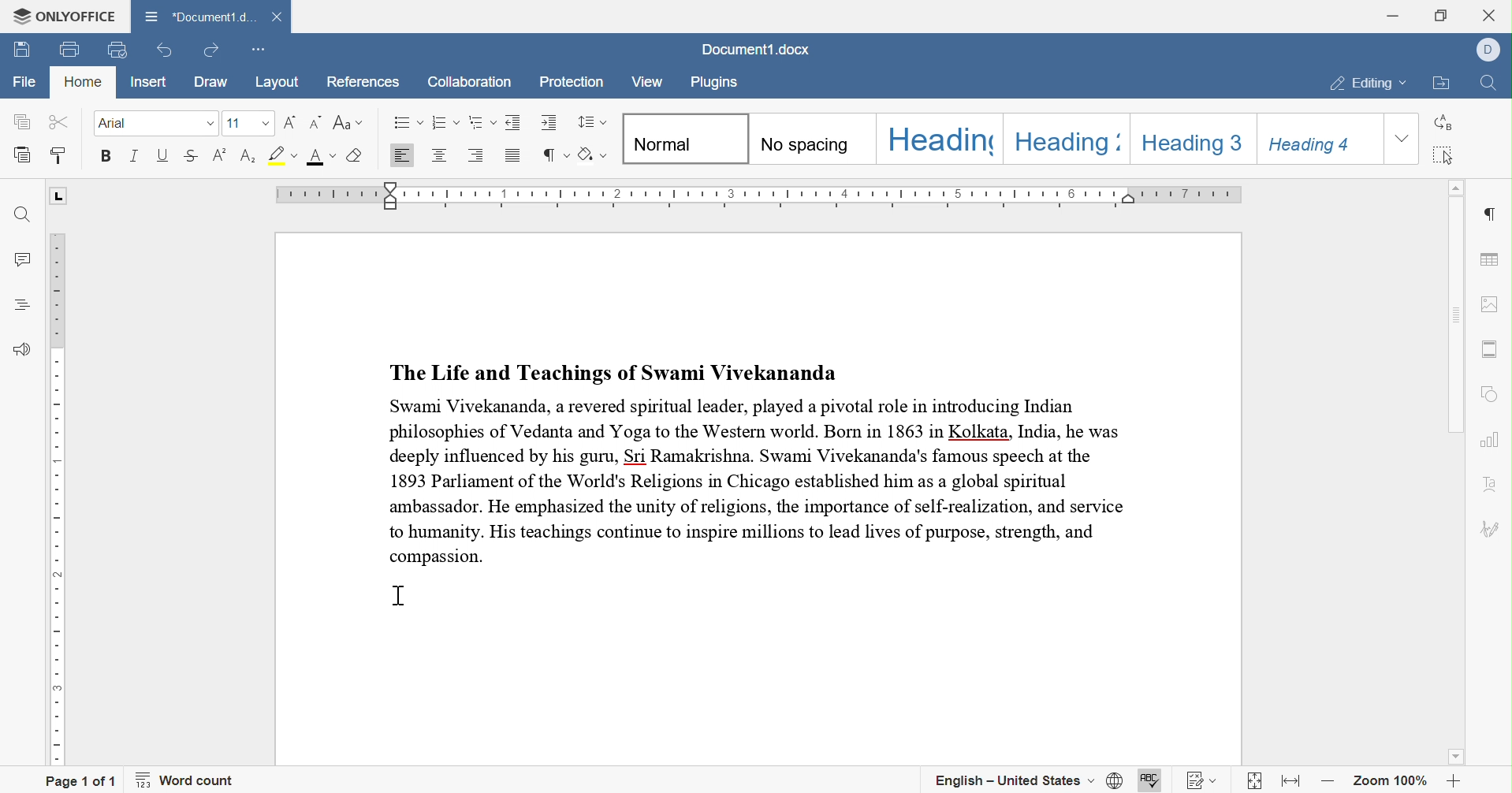  I want to click on font color, so click(322, 156).